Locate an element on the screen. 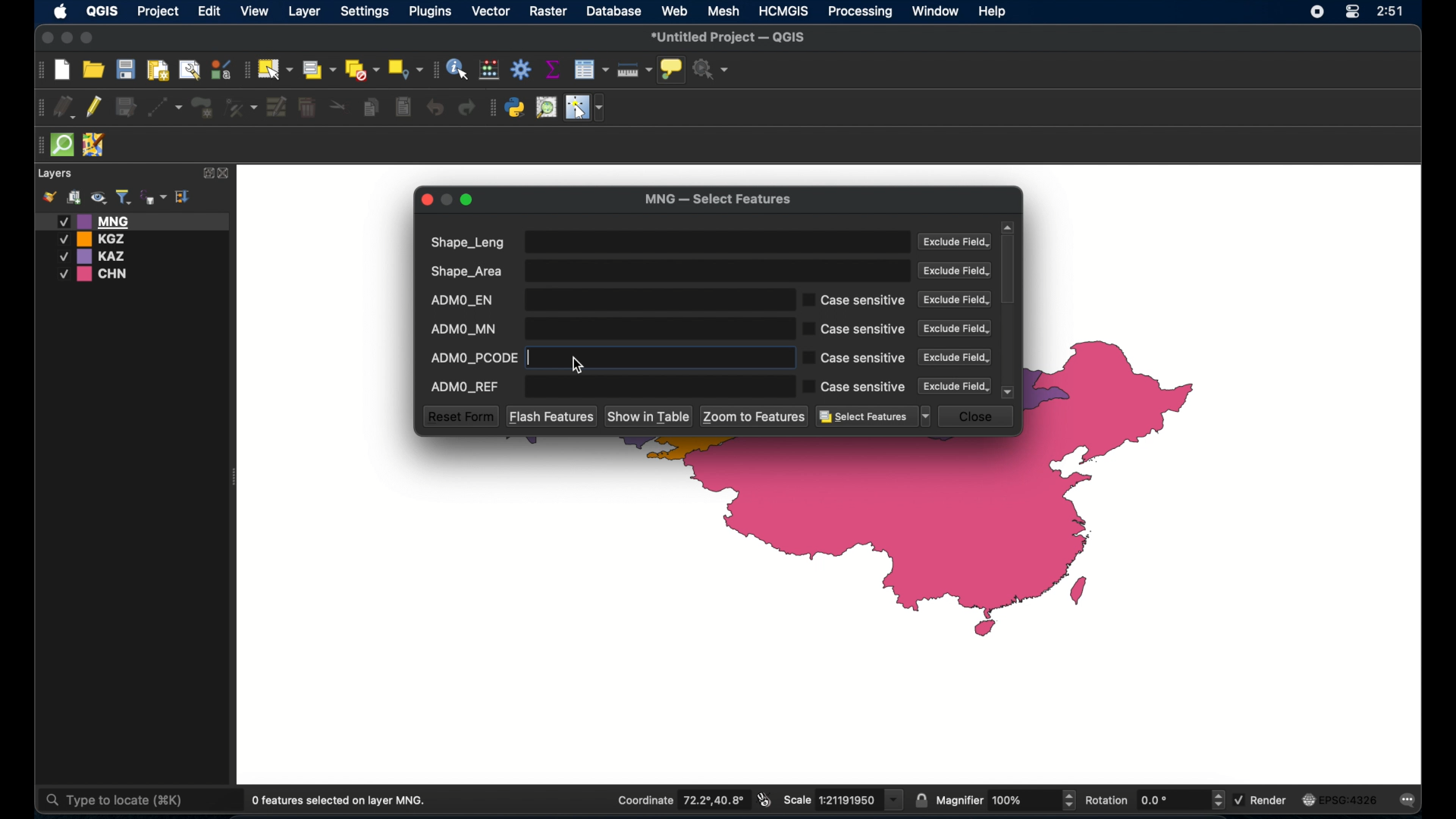 This screenshot has height=819, width=1456. save project is located at coordinates (125, 69).